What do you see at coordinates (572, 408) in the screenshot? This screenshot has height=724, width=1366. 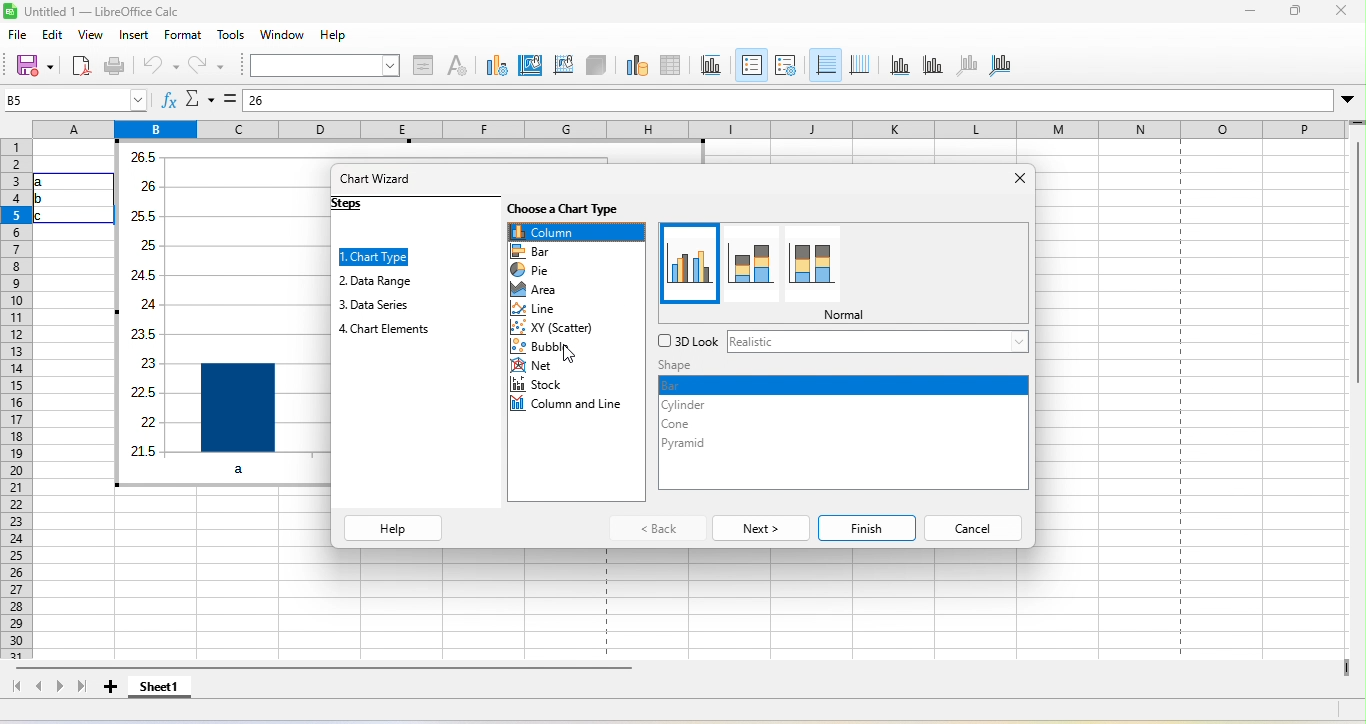 I see `column and line` at bounding box center [572, 408].